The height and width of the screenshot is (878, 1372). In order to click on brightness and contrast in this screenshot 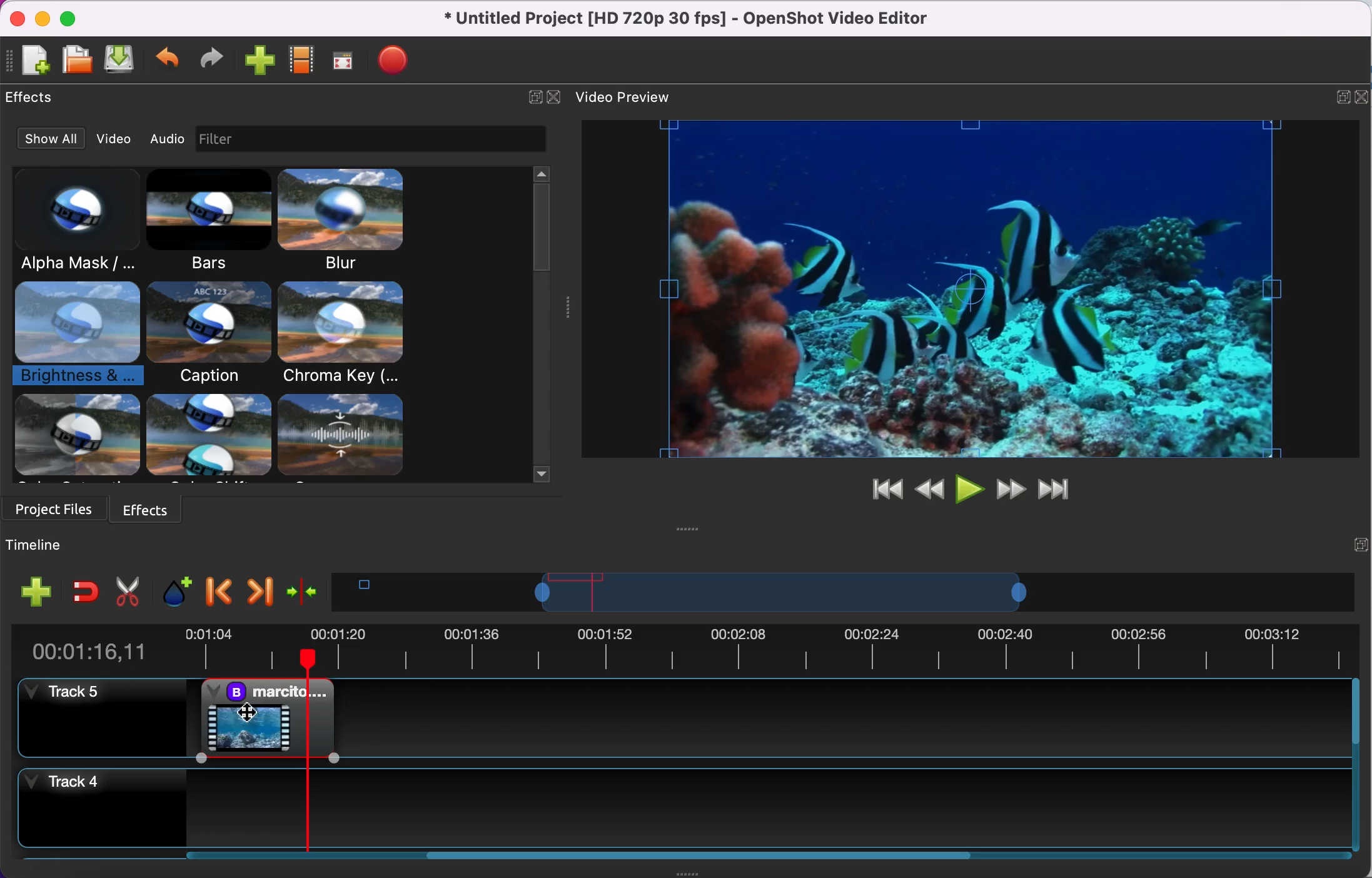, I will do `click(78, 336)`.